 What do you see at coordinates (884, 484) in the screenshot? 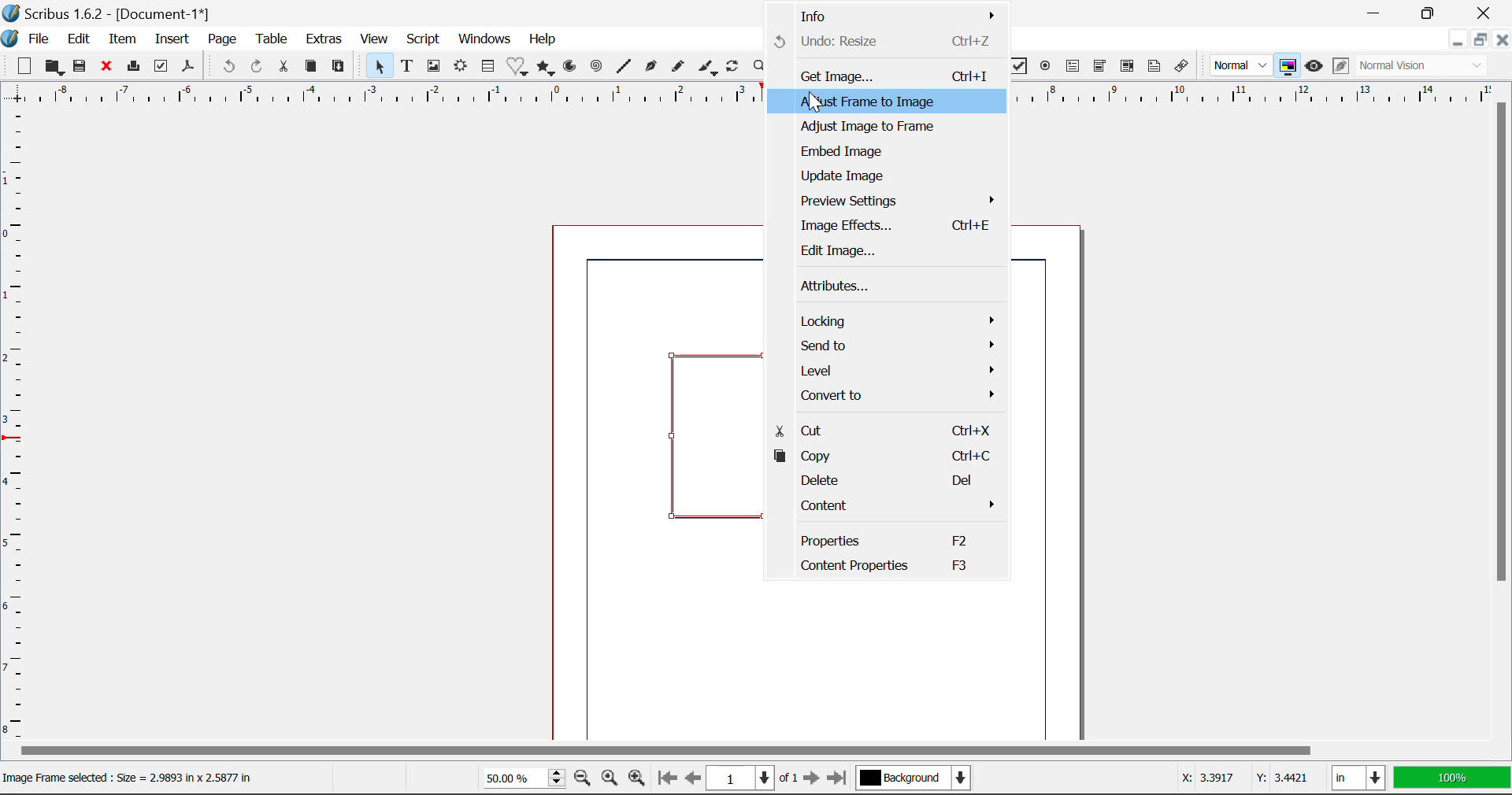
I see `Delete` at bounding box center [884, 484].